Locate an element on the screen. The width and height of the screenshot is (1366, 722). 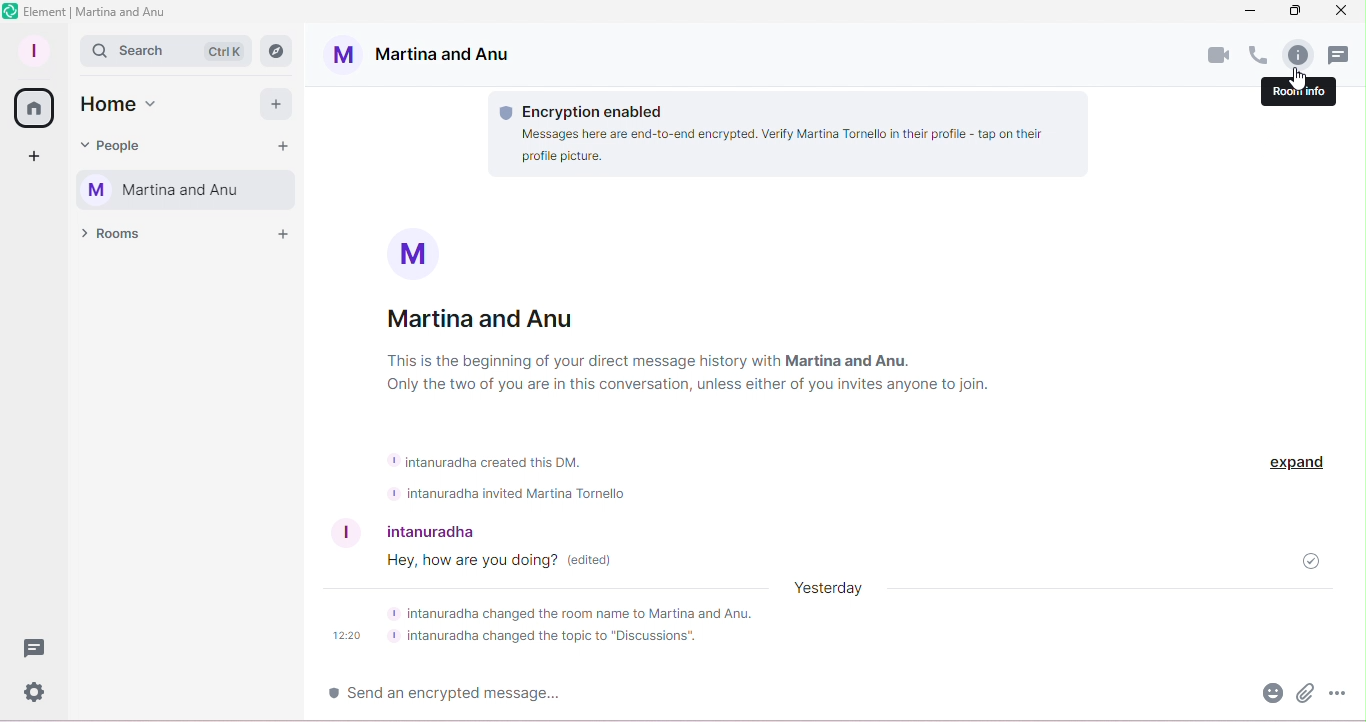
intanuradha changed the room name to Martina and Anu is located at coordinates (576, 612).